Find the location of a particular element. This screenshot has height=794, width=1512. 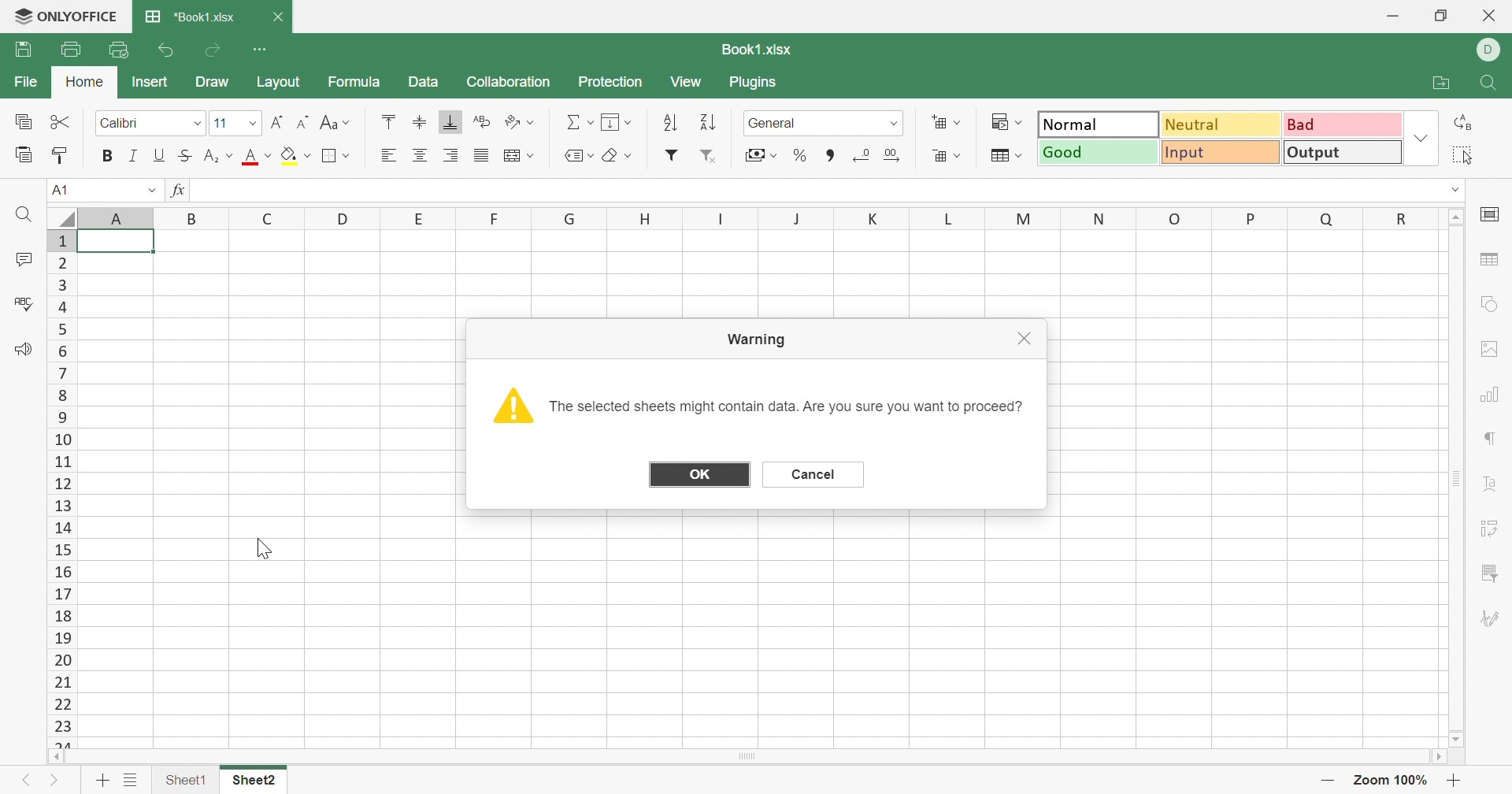

Previous is located at coordinates (26, 777).